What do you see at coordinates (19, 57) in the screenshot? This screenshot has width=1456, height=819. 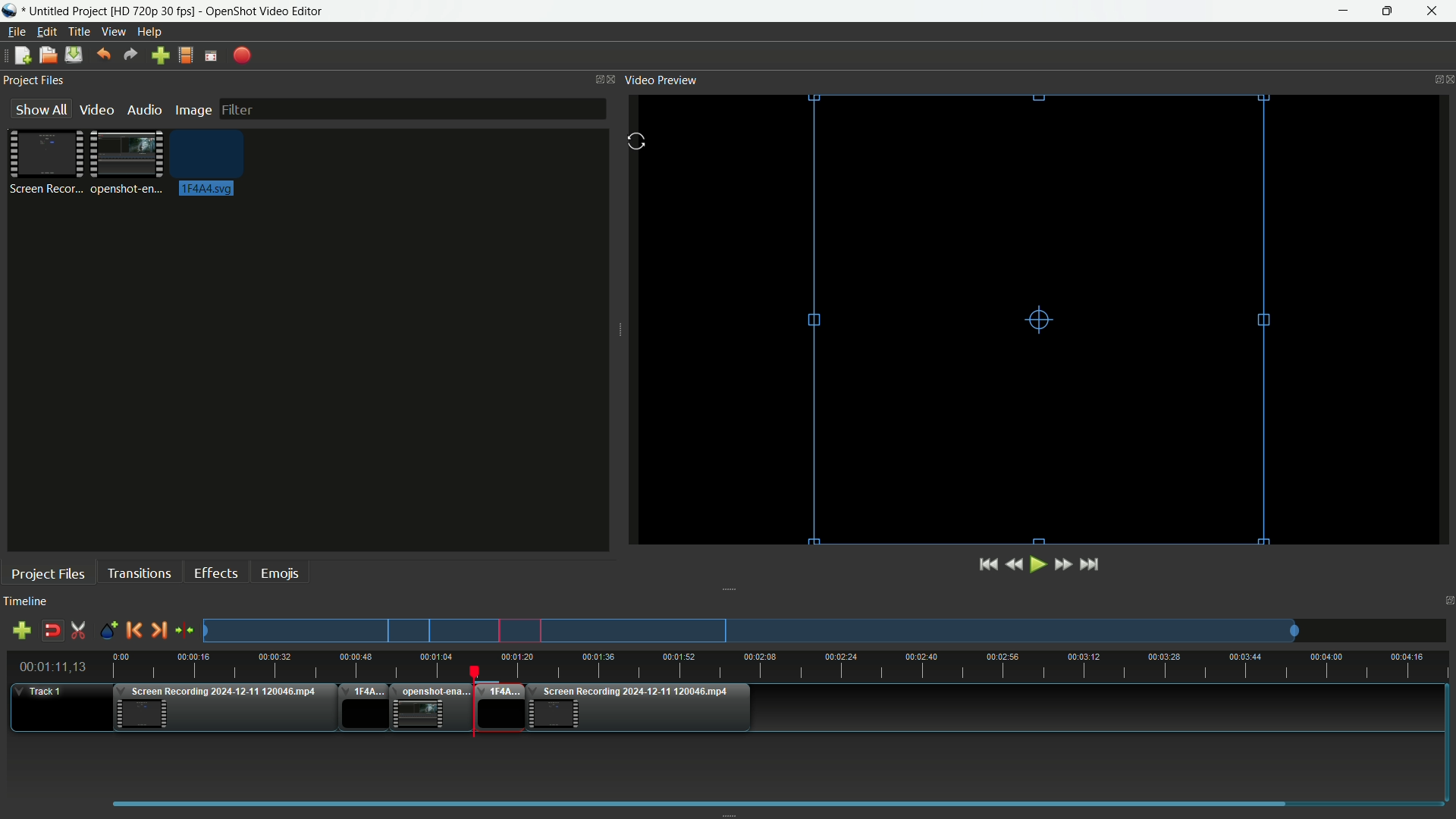 I see `New file` at bounding box center [19, 57].